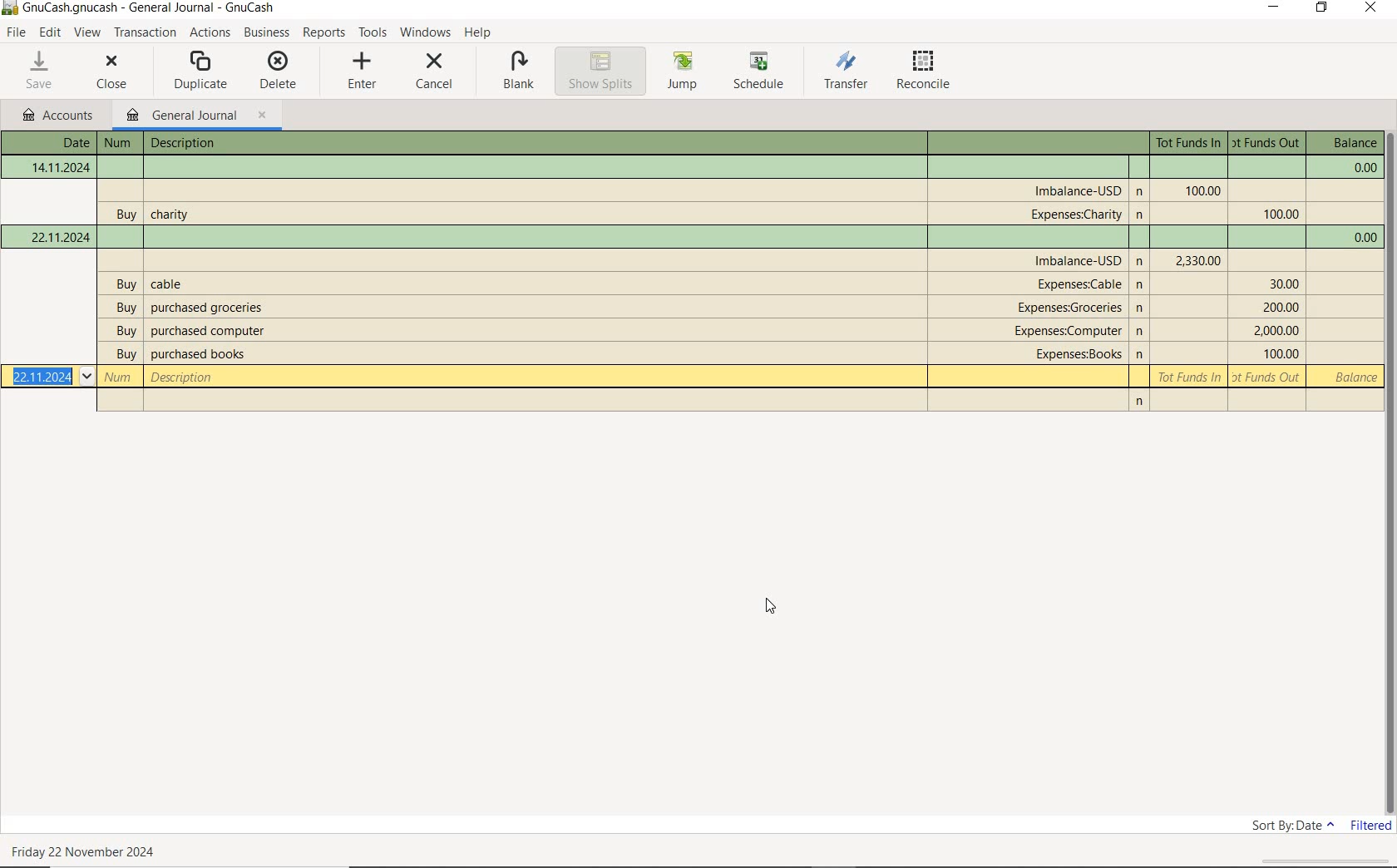 The image size is (1397, 868). I want to click on Tot Funds In, so click(1190, 143).